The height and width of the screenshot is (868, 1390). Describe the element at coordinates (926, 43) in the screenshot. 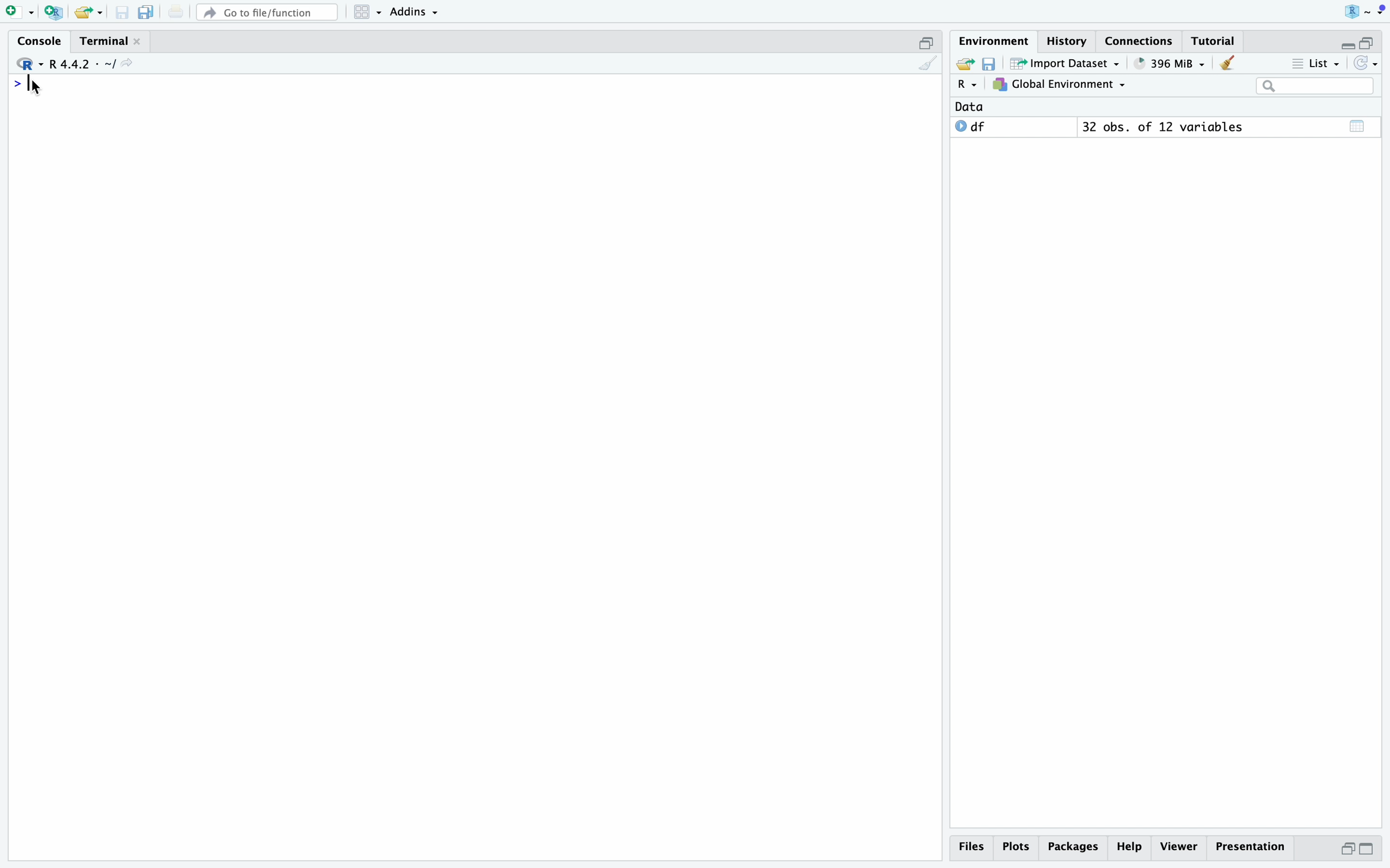

I see `open in separate window` at that location.